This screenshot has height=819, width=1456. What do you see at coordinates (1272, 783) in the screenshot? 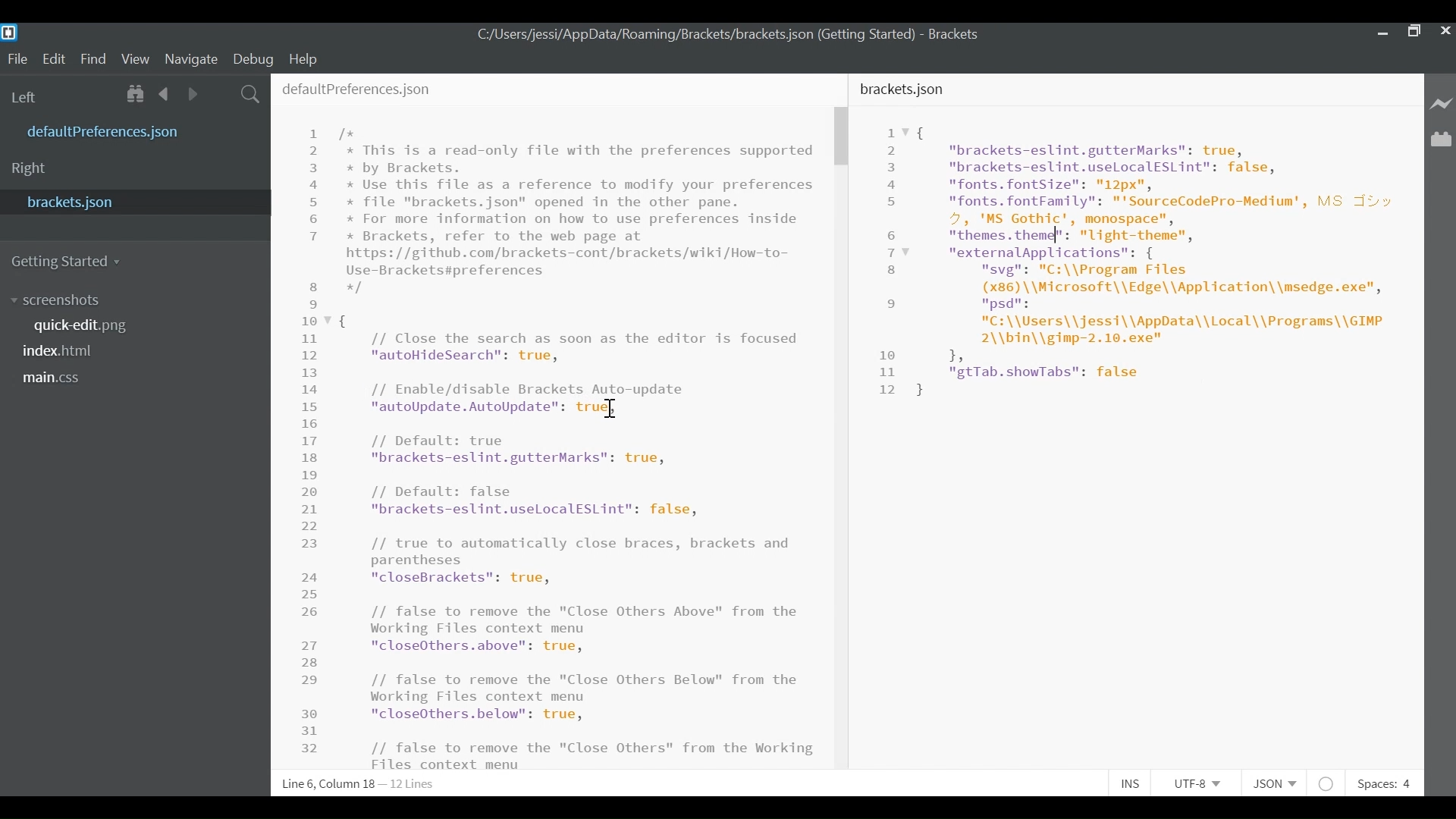
I see `Select File Type` at bounding box center [1272, 783].